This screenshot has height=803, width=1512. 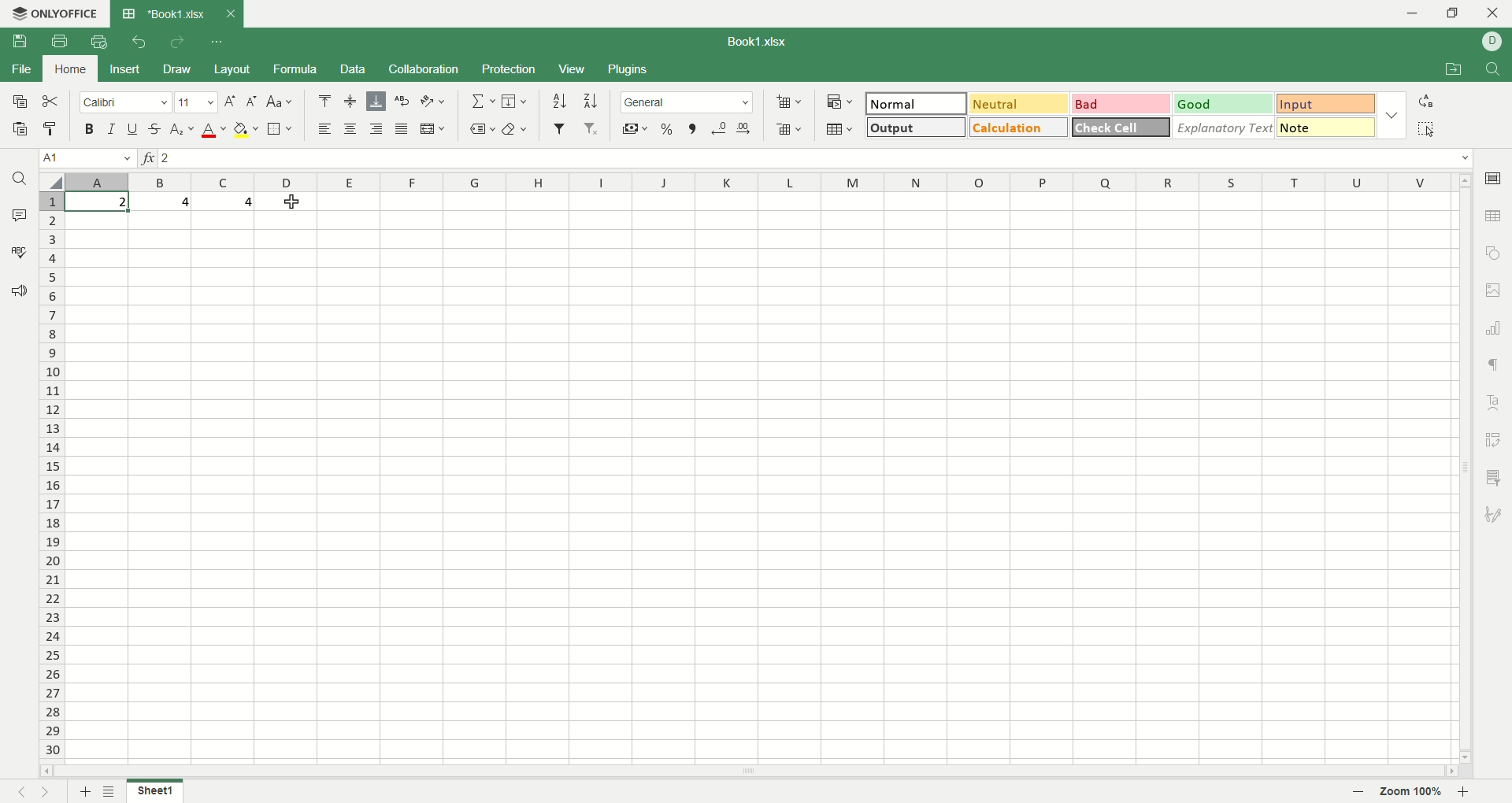 I want to click on italics, so click(x=114, y=128).